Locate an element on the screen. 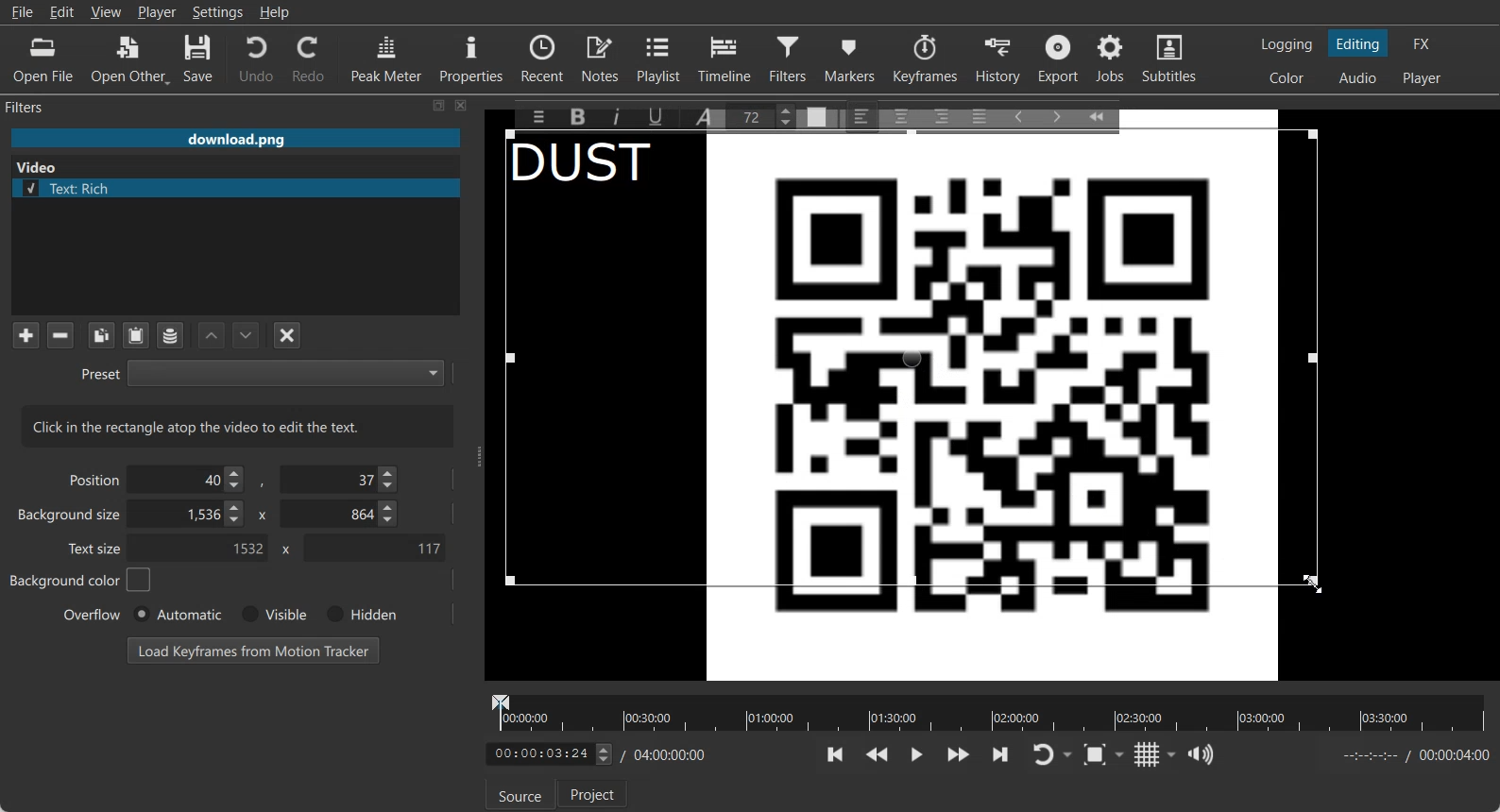 This screenshot has width=1500, height=812. Justify is located at coordinates (980, 113).